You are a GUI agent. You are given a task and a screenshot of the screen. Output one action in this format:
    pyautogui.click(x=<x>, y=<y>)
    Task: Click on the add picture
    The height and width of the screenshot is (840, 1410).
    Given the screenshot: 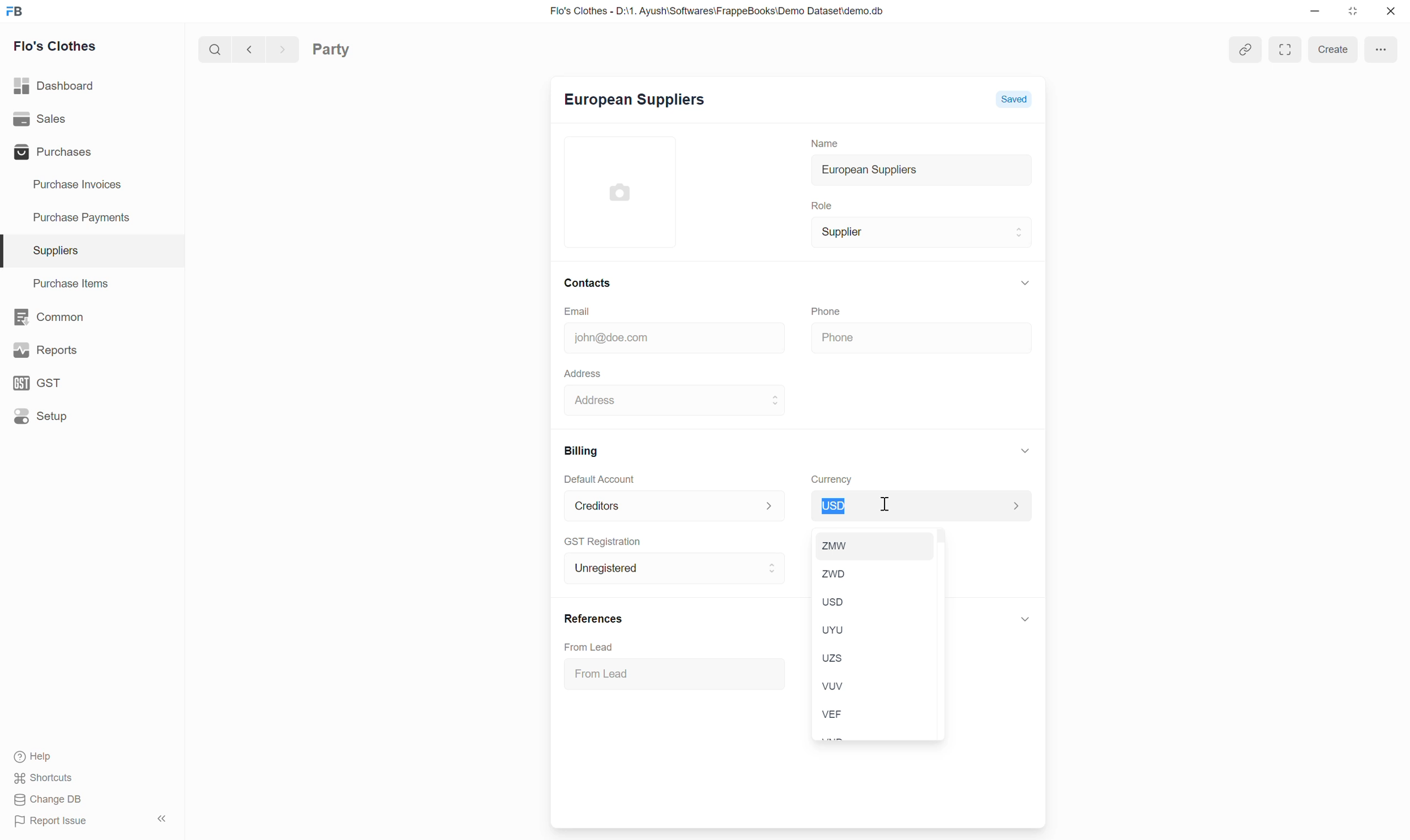 What is the action you would take?
    pyautogui.click(x=630, y=190)
    